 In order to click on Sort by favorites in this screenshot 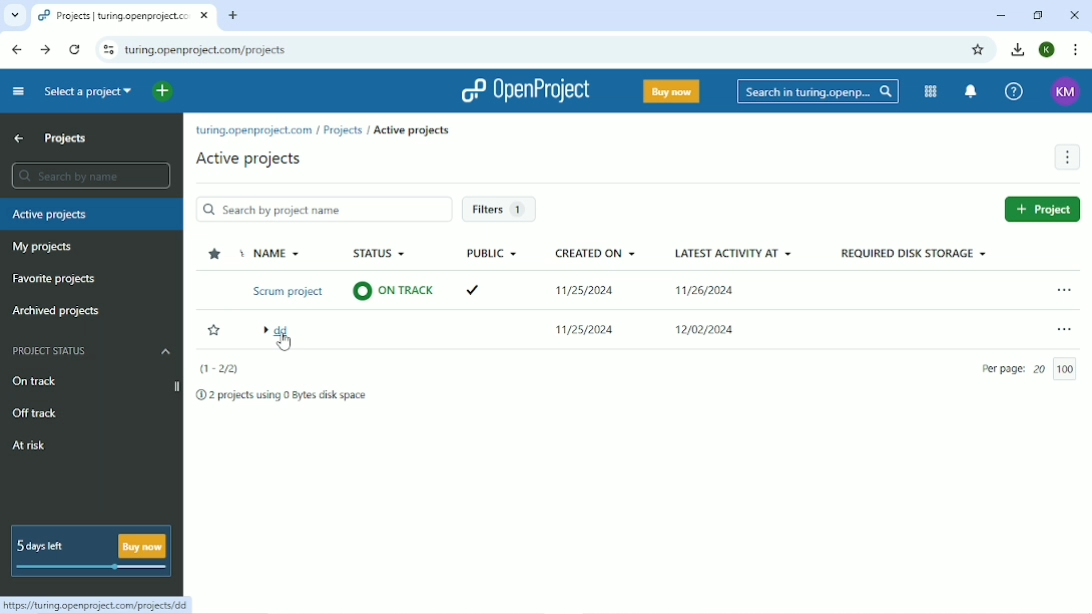, I will do `click(217, 254)`.